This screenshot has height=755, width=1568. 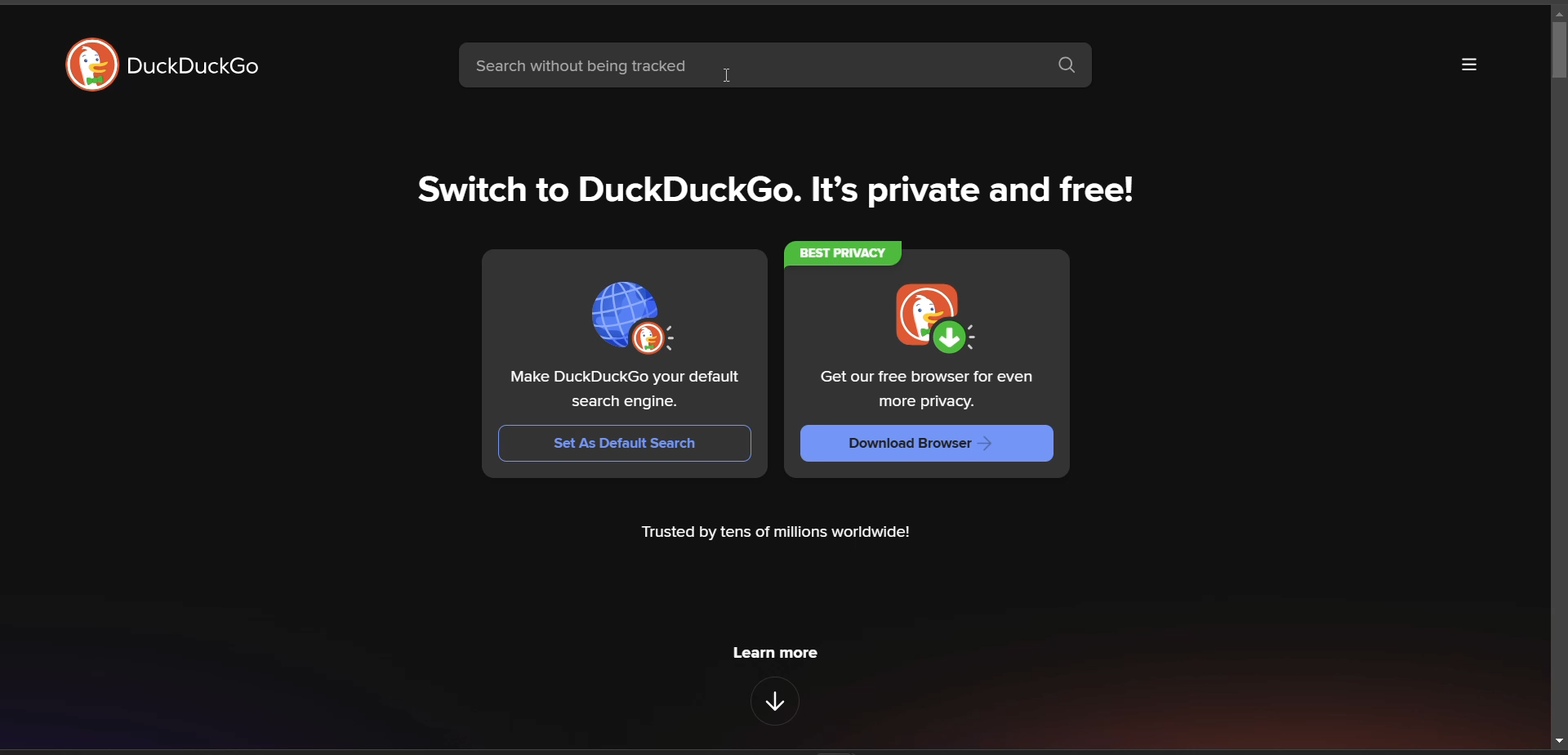 I want to click on Set As Default Search, so click(x=623, y=443).